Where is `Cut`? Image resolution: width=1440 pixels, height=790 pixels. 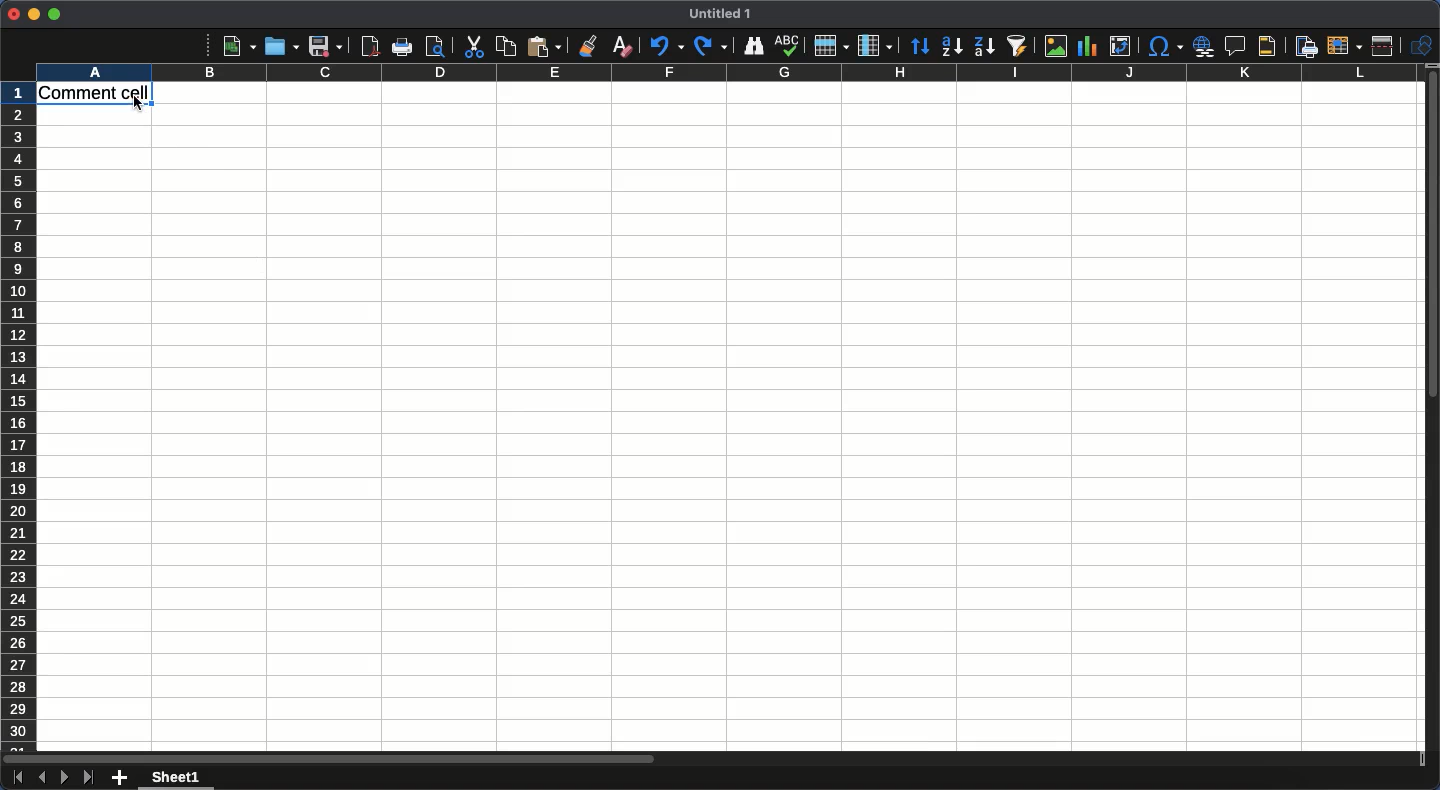 Cut is located at coordinates (476, 44).